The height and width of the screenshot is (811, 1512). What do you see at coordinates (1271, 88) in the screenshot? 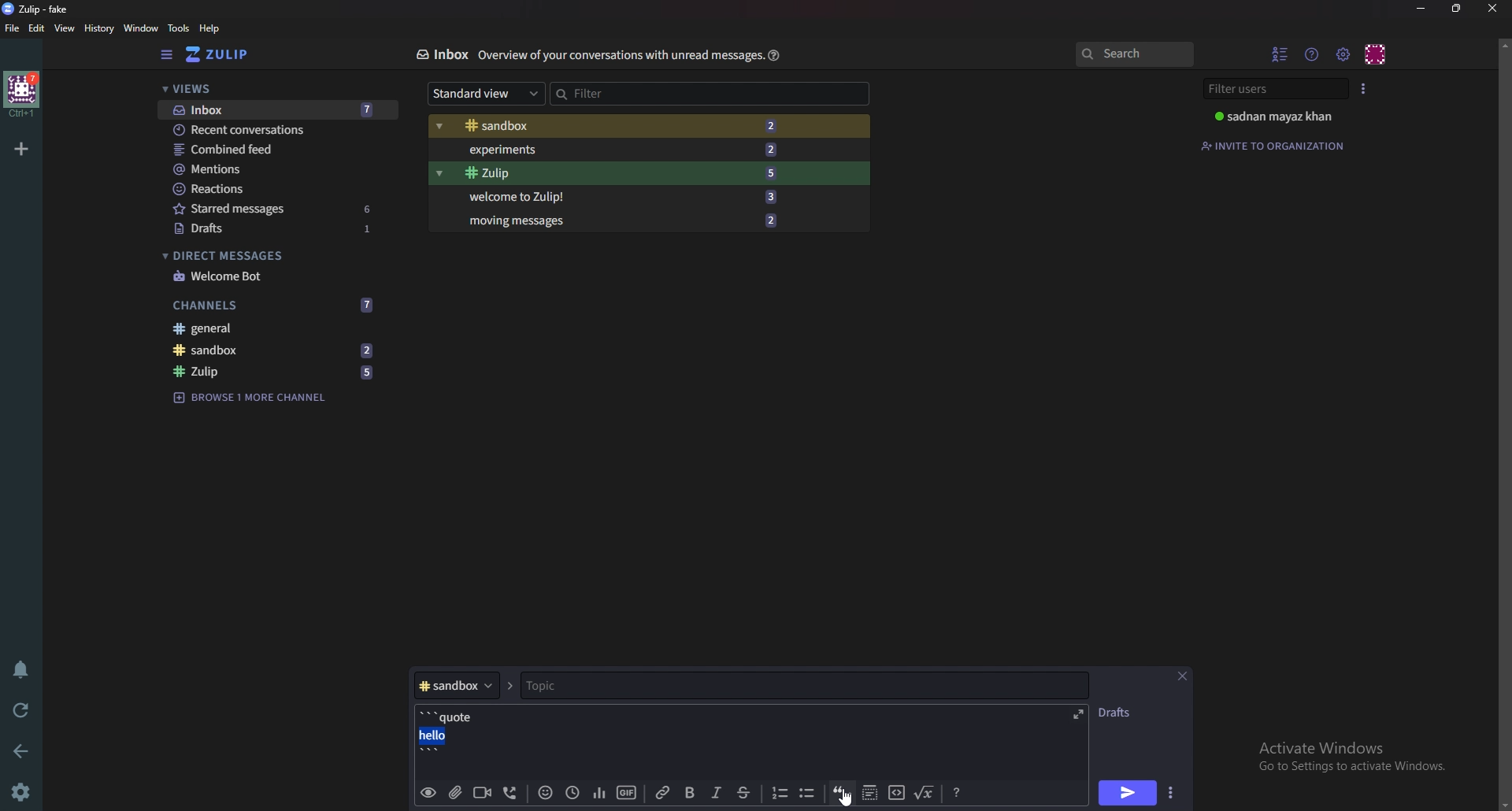
I see `Filter users` at bounding box center [1271, 88].